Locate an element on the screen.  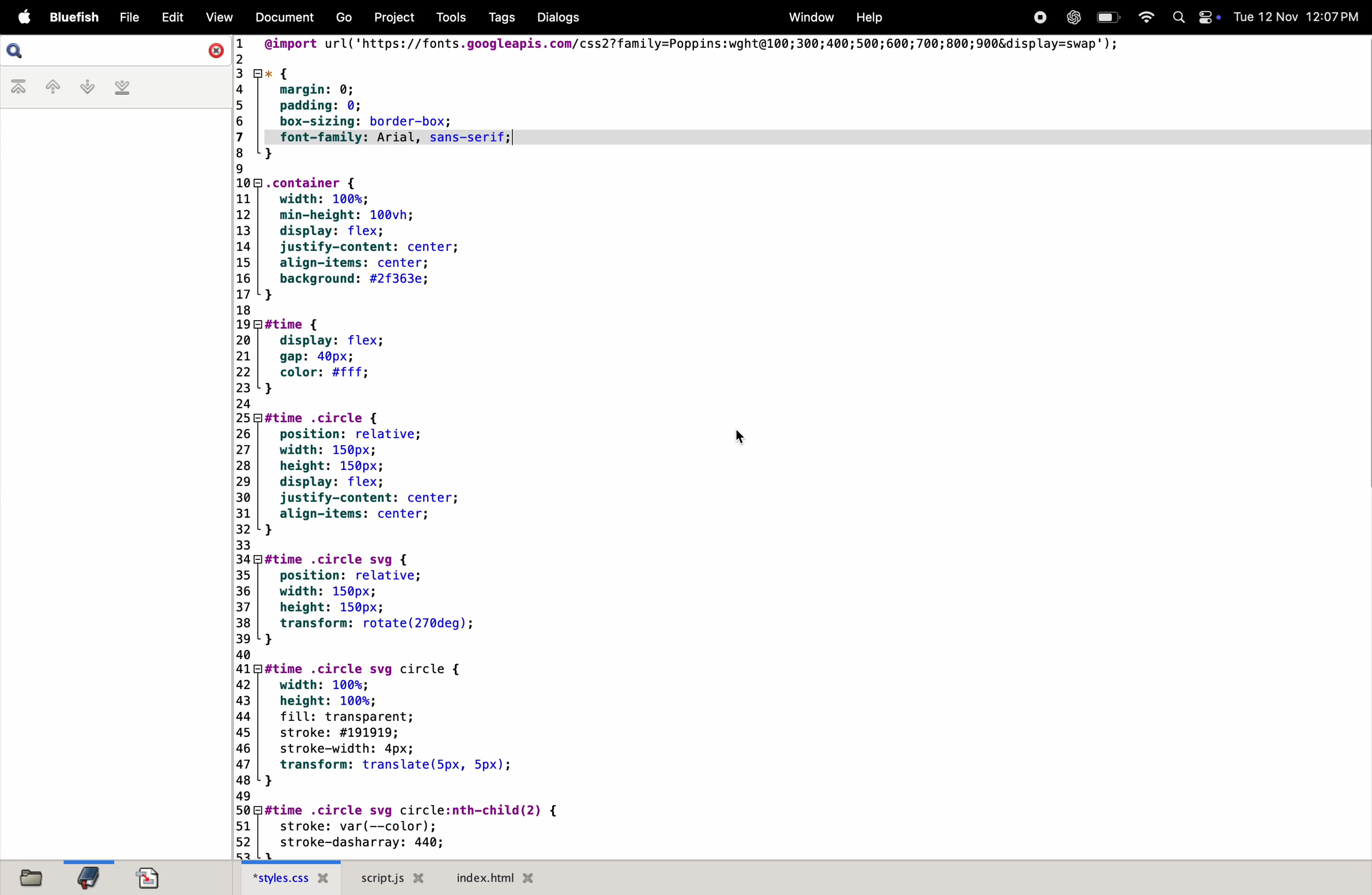
project is located at coordinates (390, 17).